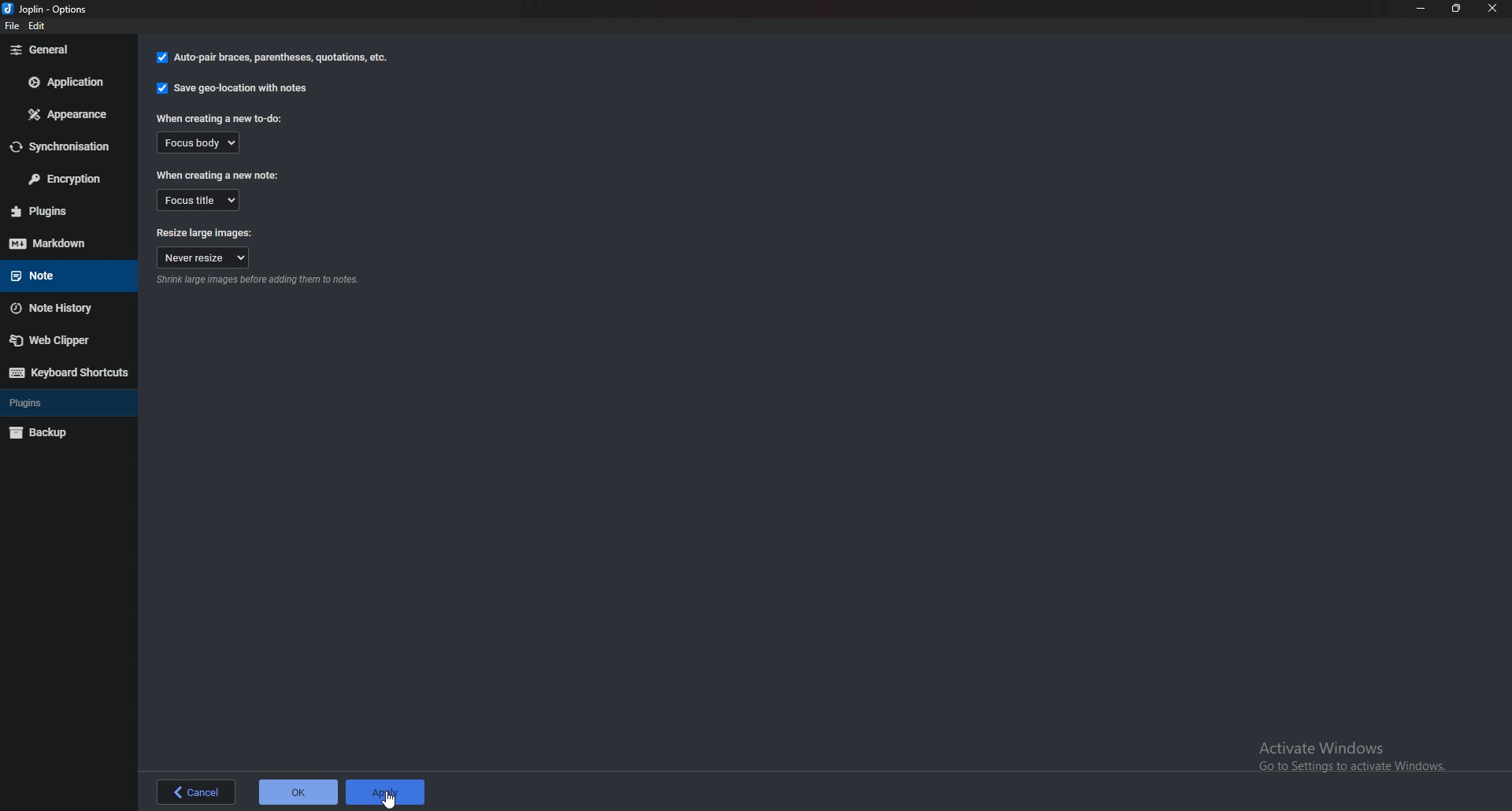 The image size is (1512, 811). What do you see at coordinates (390, 792) in the screenshot?
I see `apply` at bounding box center [390, 792].